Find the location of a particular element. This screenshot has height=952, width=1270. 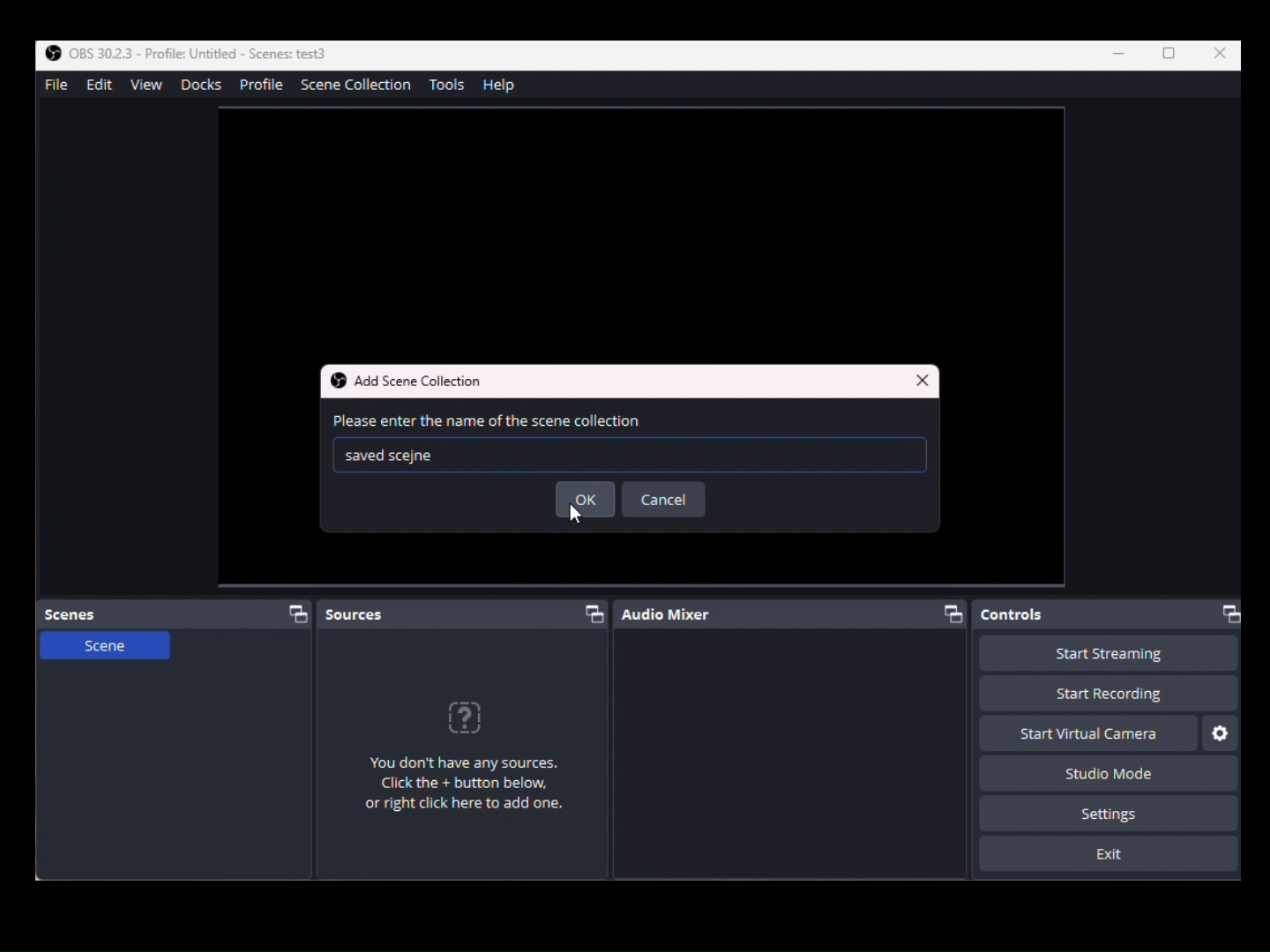

ok is located at coordinates (586, 505).